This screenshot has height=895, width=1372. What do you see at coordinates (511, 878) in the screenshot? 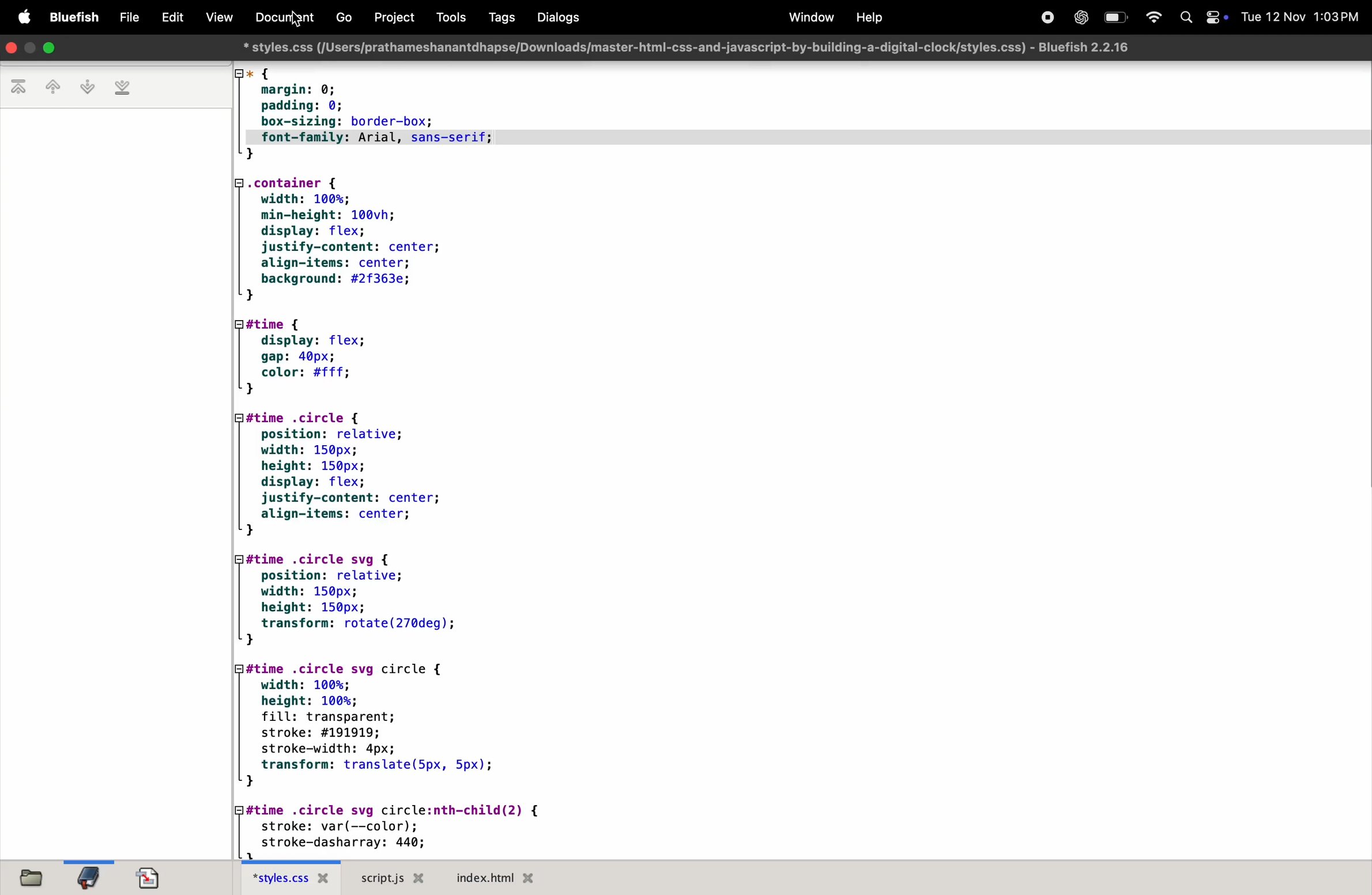
I see `index.html` at bounding box center [511, 878].